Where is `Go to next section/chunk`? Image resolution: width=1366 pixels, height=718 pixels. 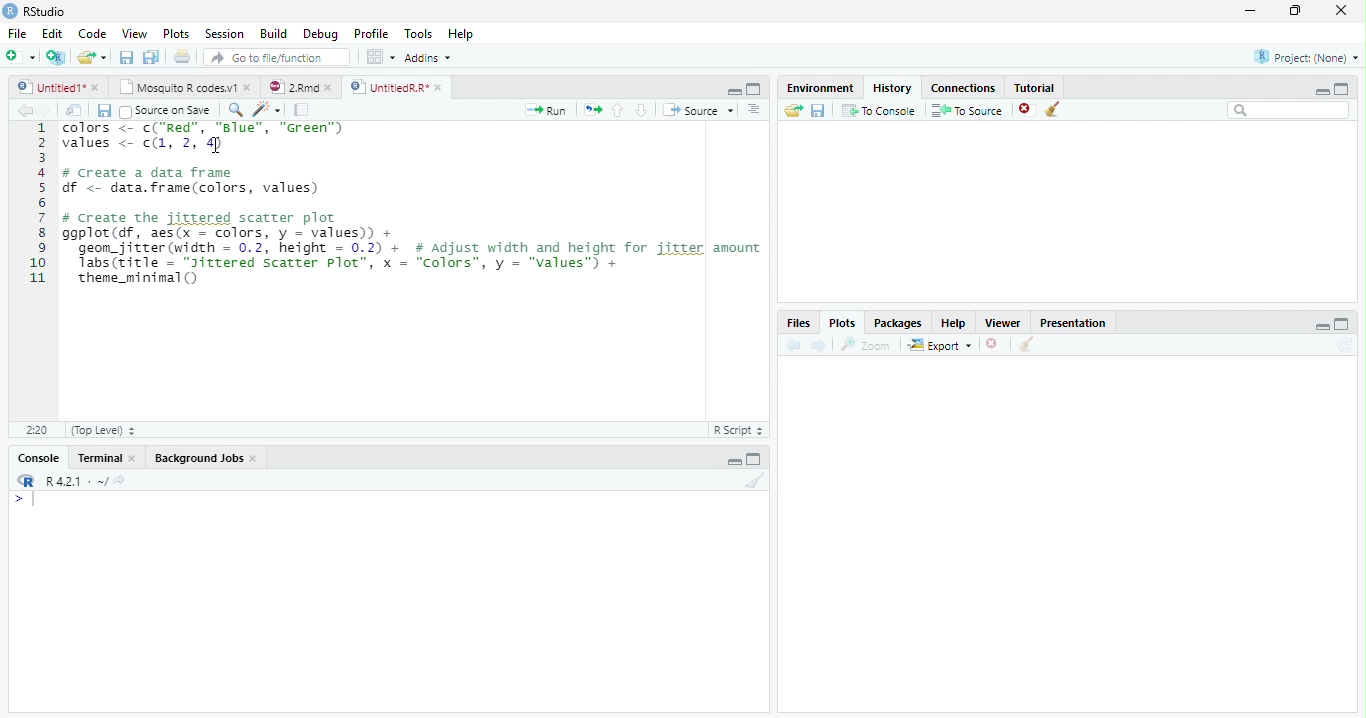 Go to next section/chunk is located at coordinates (641, 110).